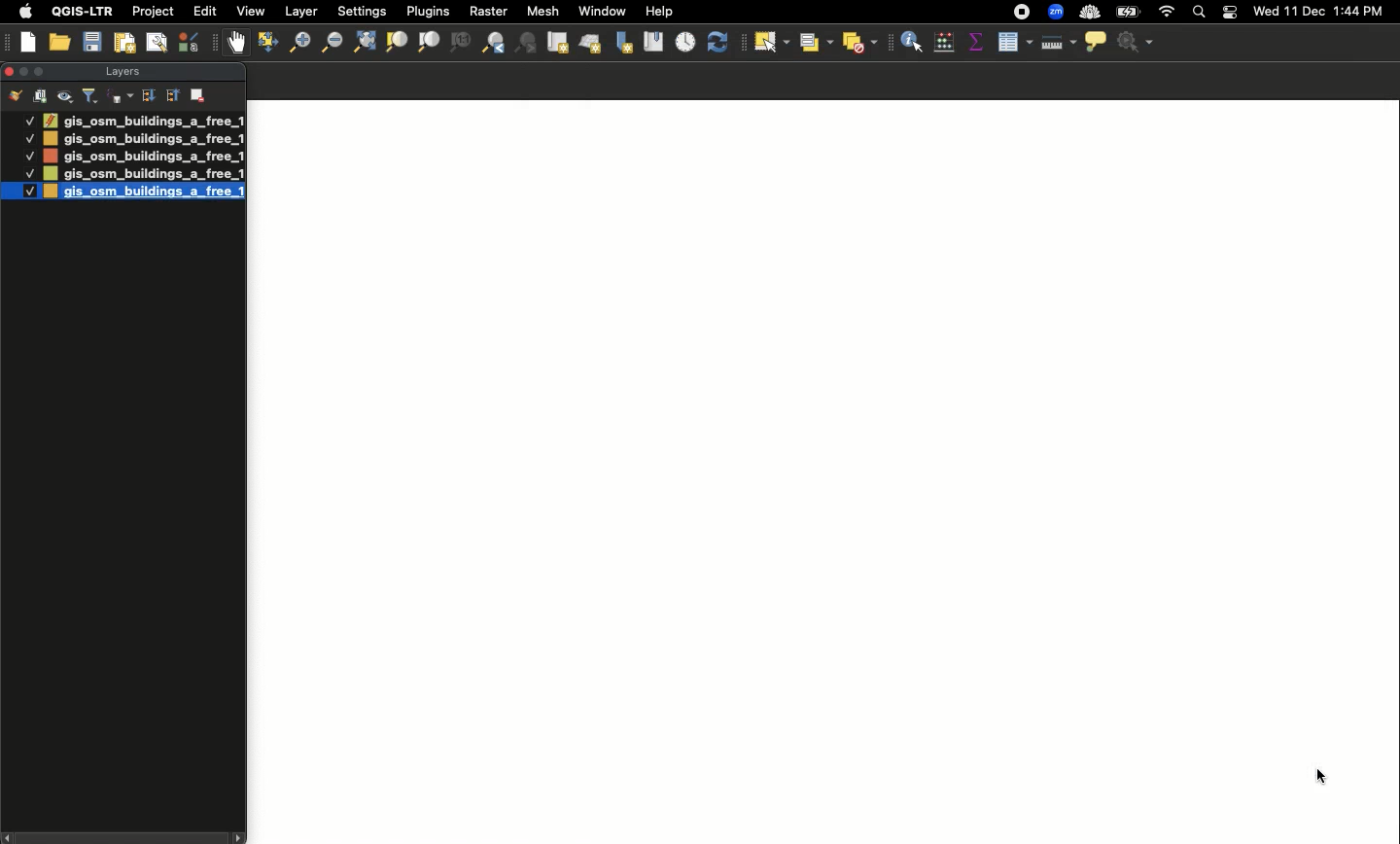  What do you see at coordinates (16, 96) in the screenshot?
I see `Open the layer styling panel` at bounding box center [16, 96].